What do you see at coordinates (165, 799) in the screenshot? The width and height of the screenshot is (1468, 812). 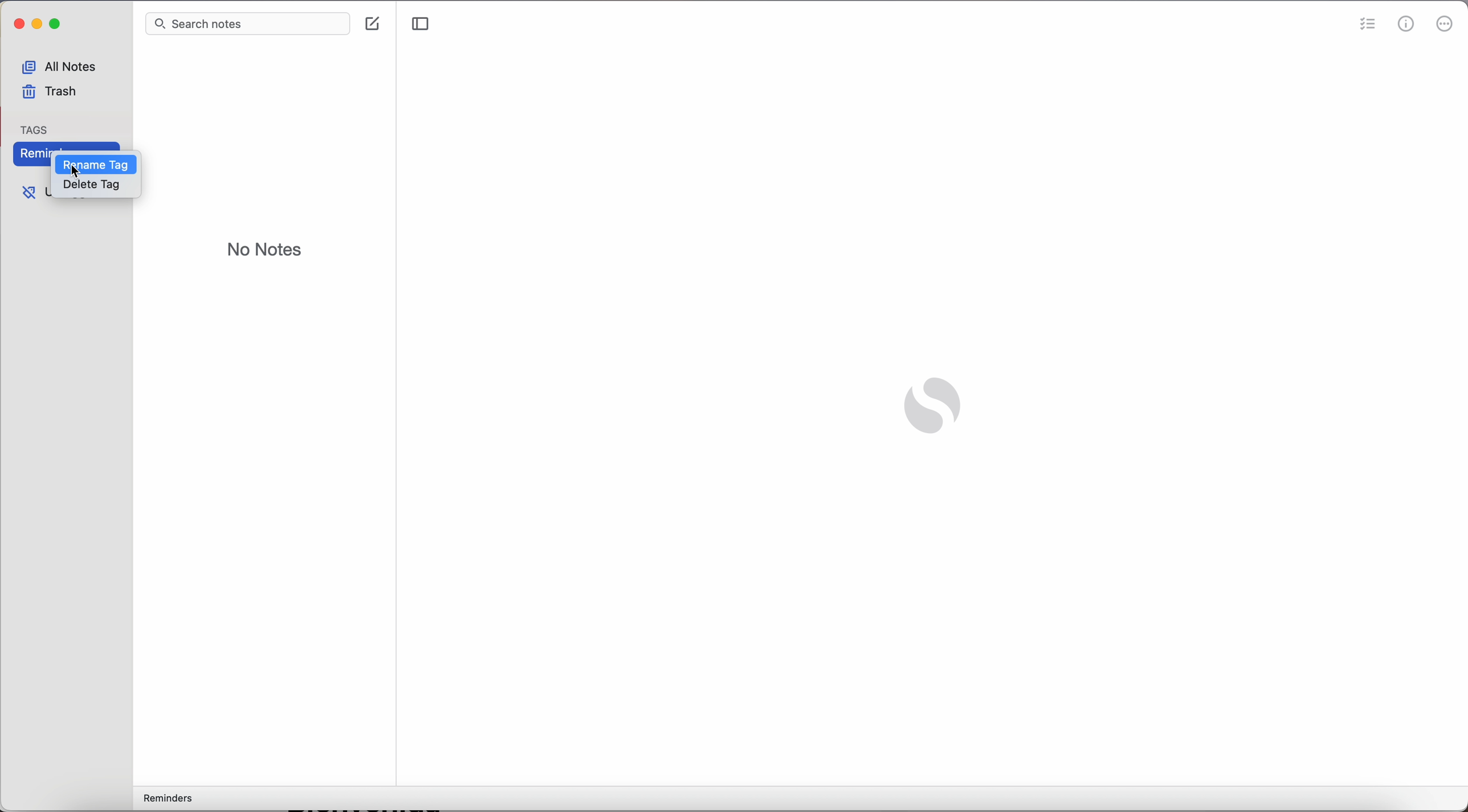 I see `reminders tag` at bounding box center [165, 799].